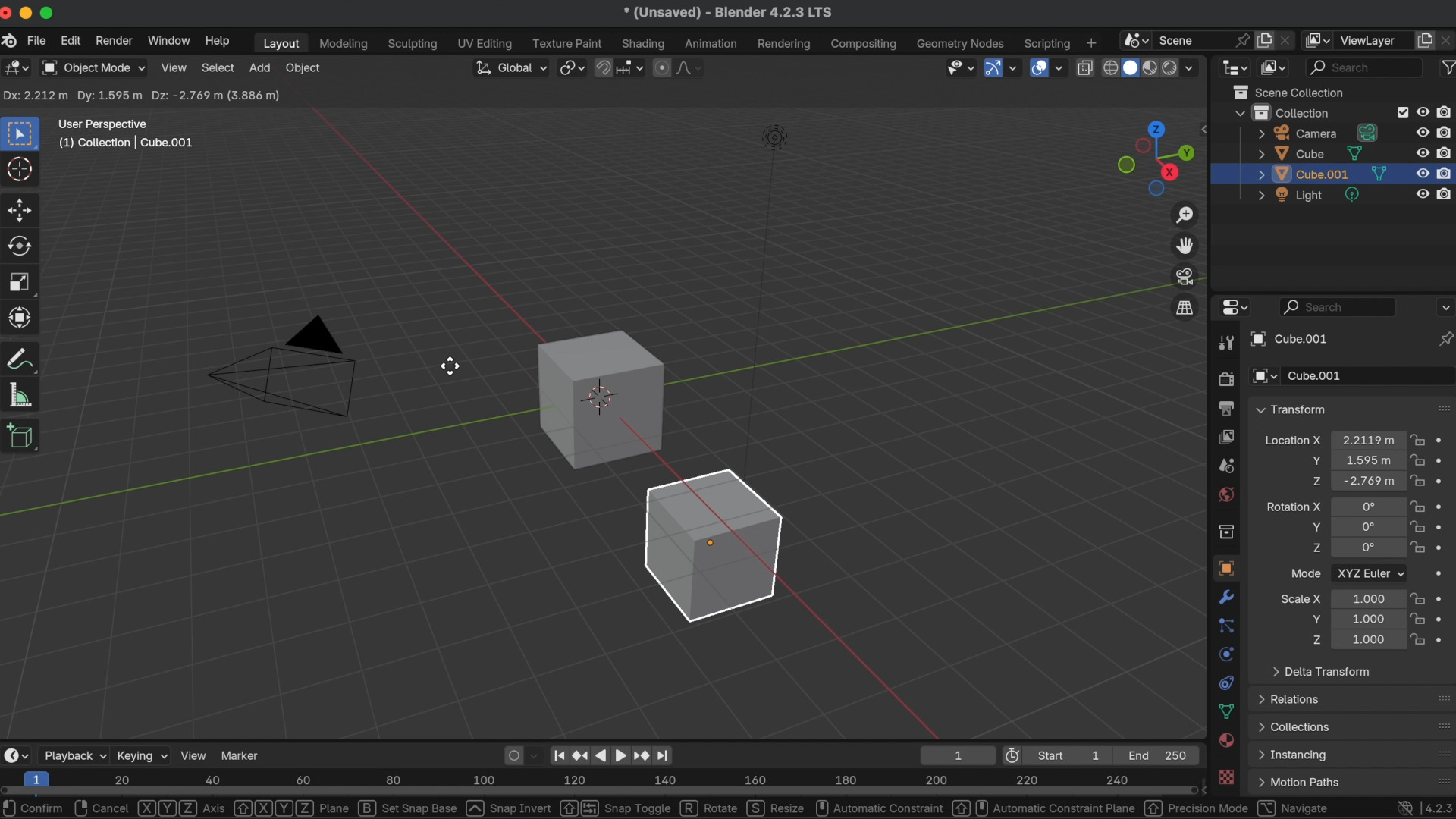  What do you see at coordinates (23, 317) in the screenshot?
I see `scale` at bounding box center [23, 317].